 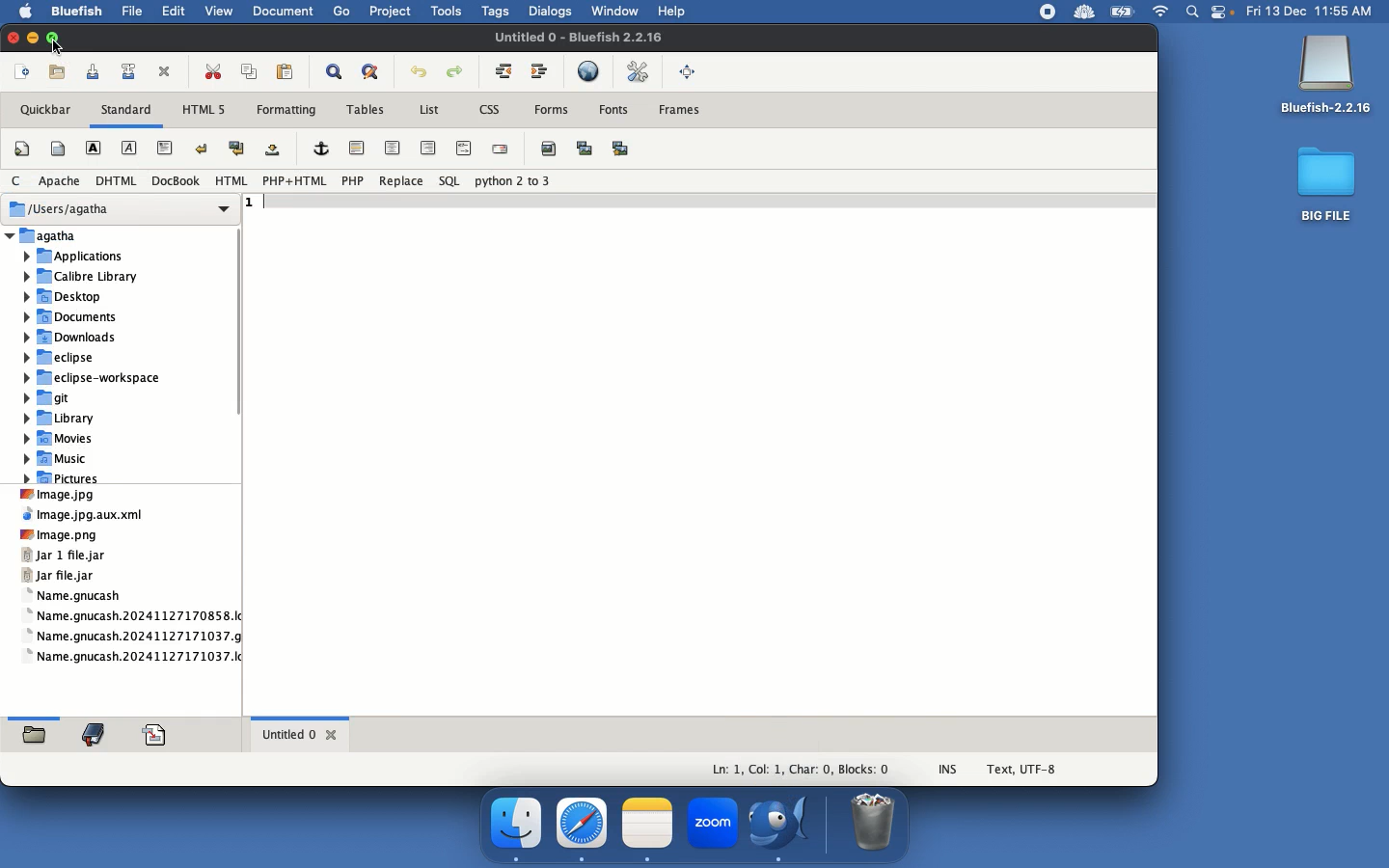 I want to click on Horizontal rule, so click(x=360, y=144).